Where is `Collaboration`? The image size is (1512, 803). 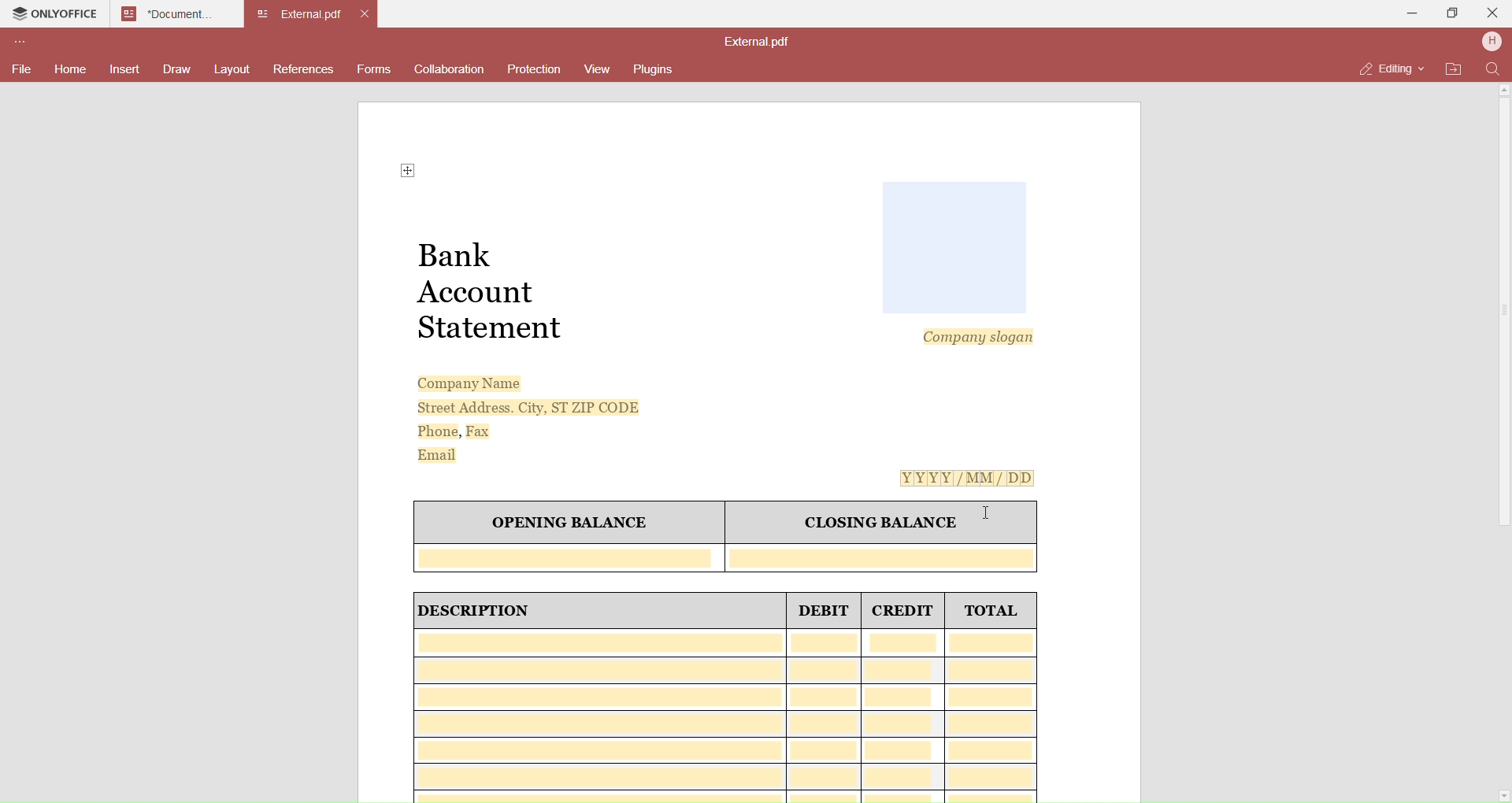 Collaboration is located at coordinates (451, 69).